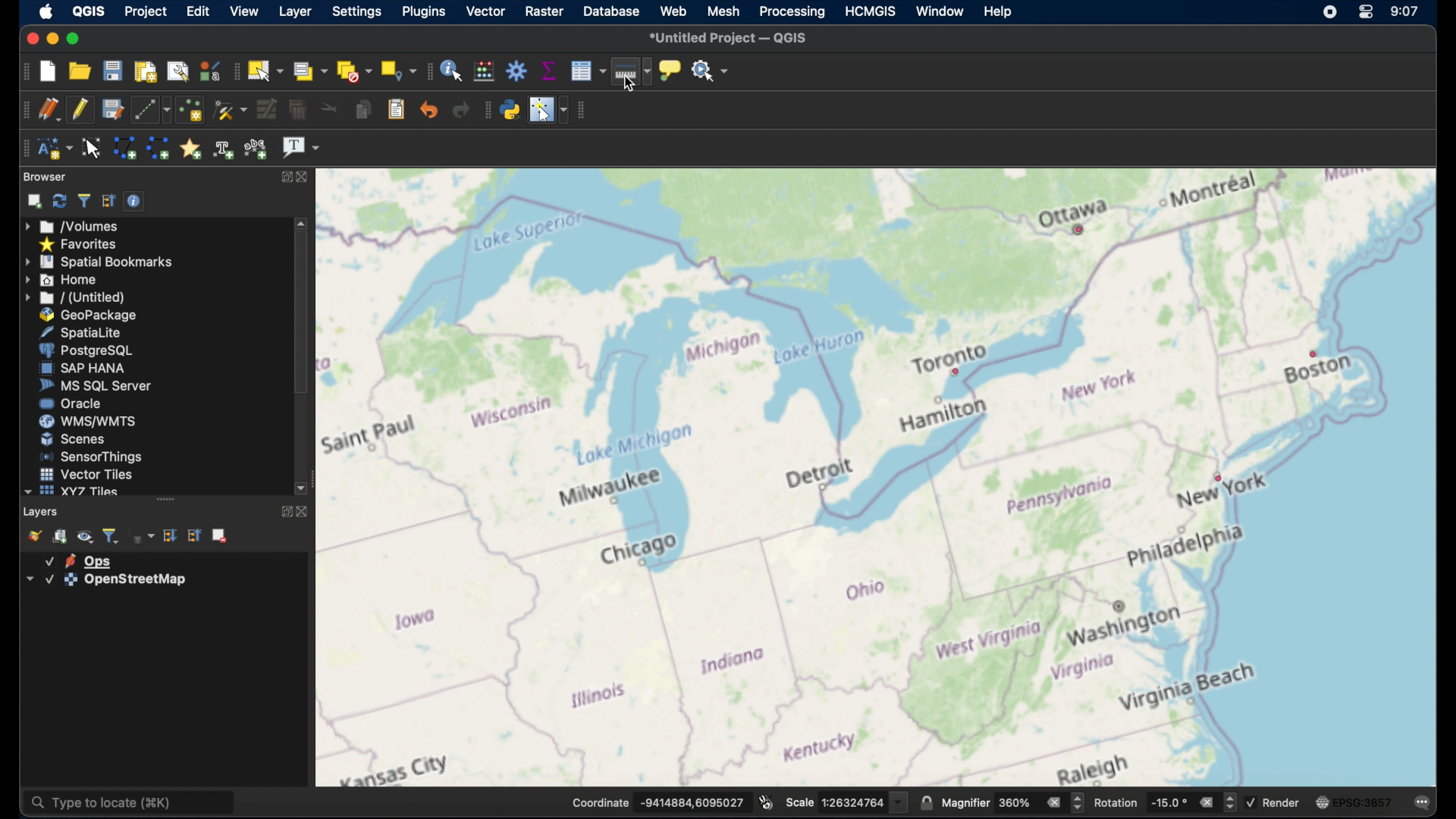 Image resolution: width=1456 pixels, height=819 pixels. Describe the element at coordinates (74, 297) in the screenshot. I see `untitled menu` at that location.